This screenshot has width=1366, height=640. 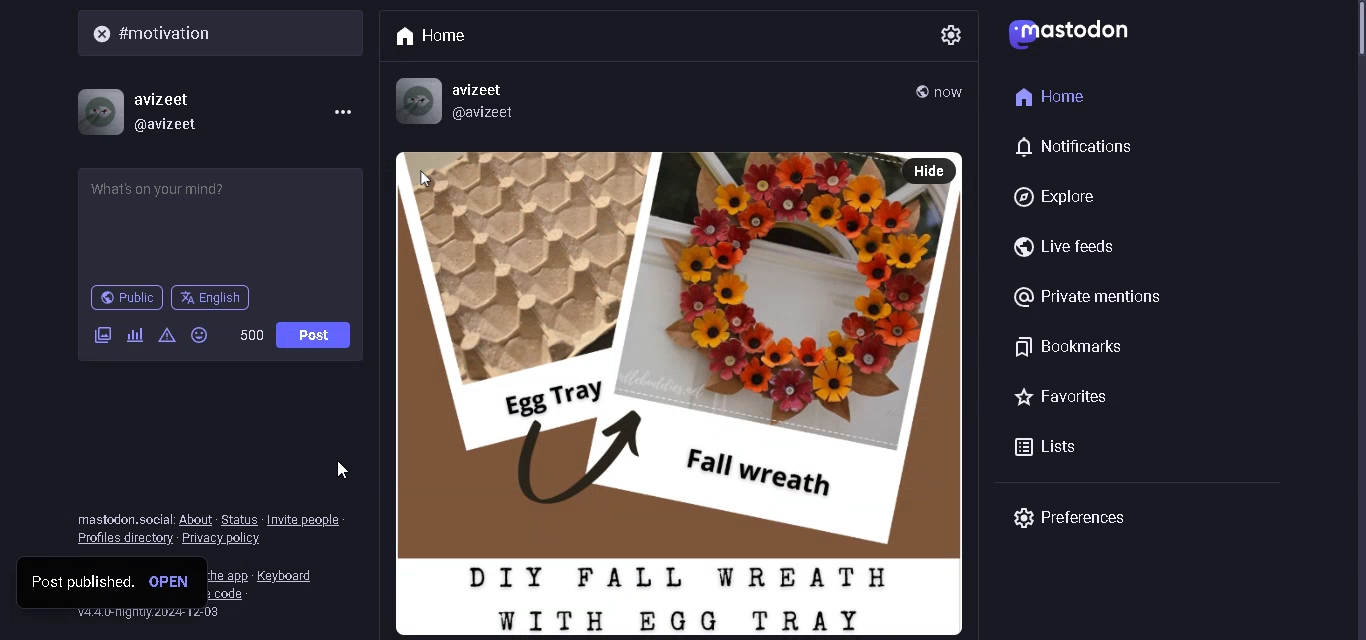 What do you see at coordinates (239, 518) in the screenshot?
I see `status` at bounding box center [239, 518].